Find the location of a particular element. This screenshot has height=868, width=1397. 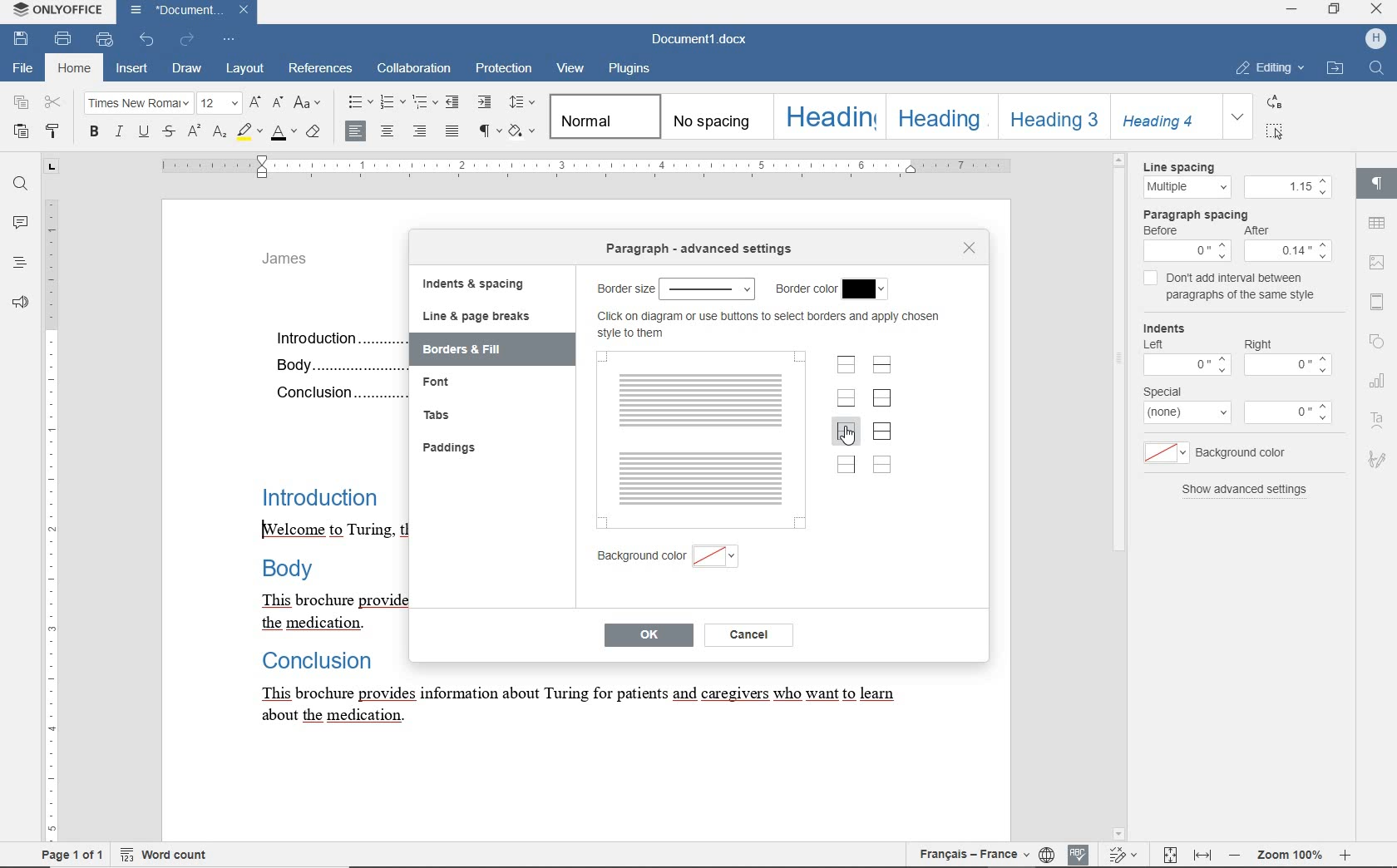

editing is located at coordinates (1271, 68).